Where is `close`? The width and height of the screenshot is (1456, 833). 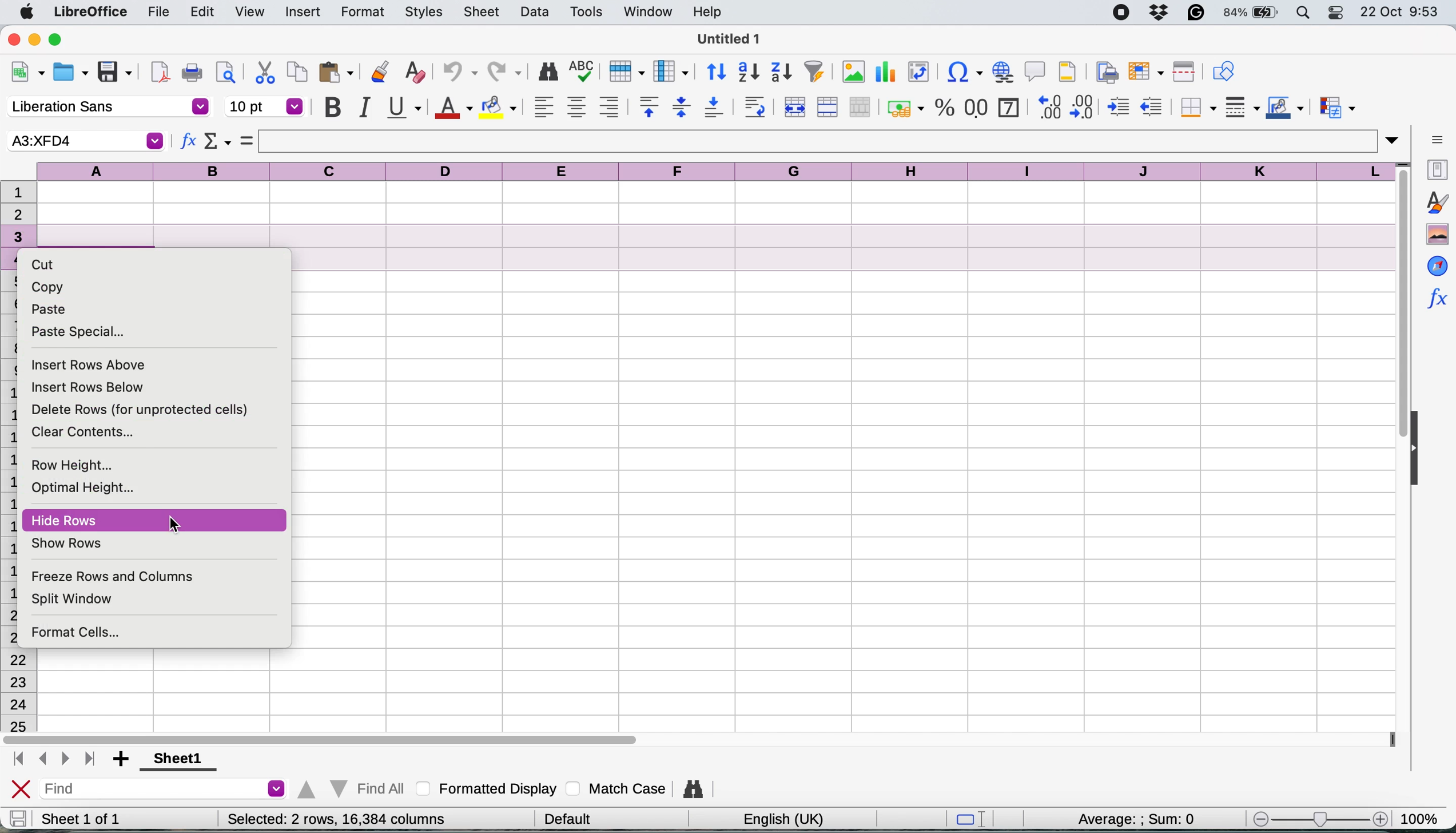
close is located at coordinates (14, 38).